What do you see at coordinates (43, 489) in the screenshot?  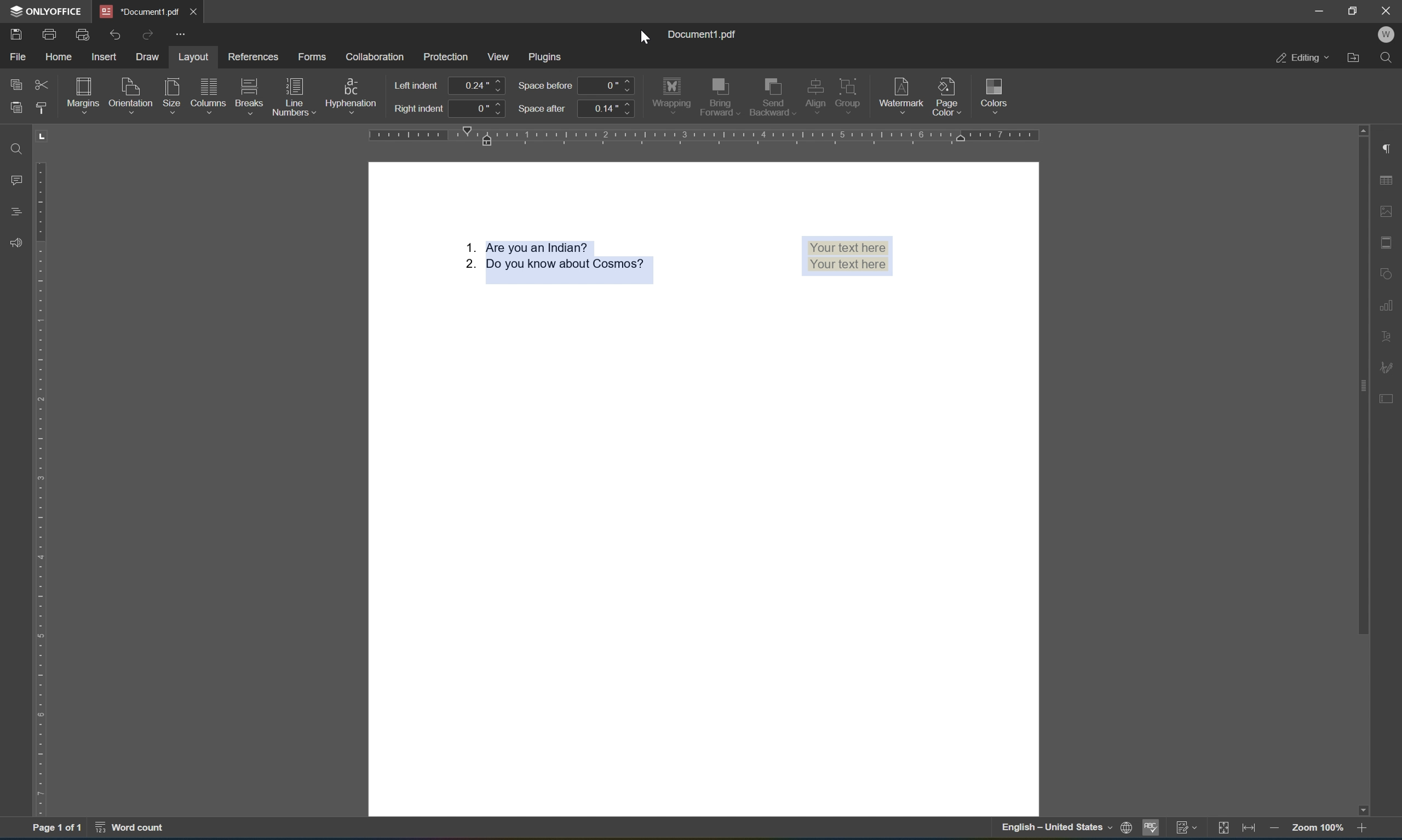 I see `ruler` at bounding box center [43, 489].